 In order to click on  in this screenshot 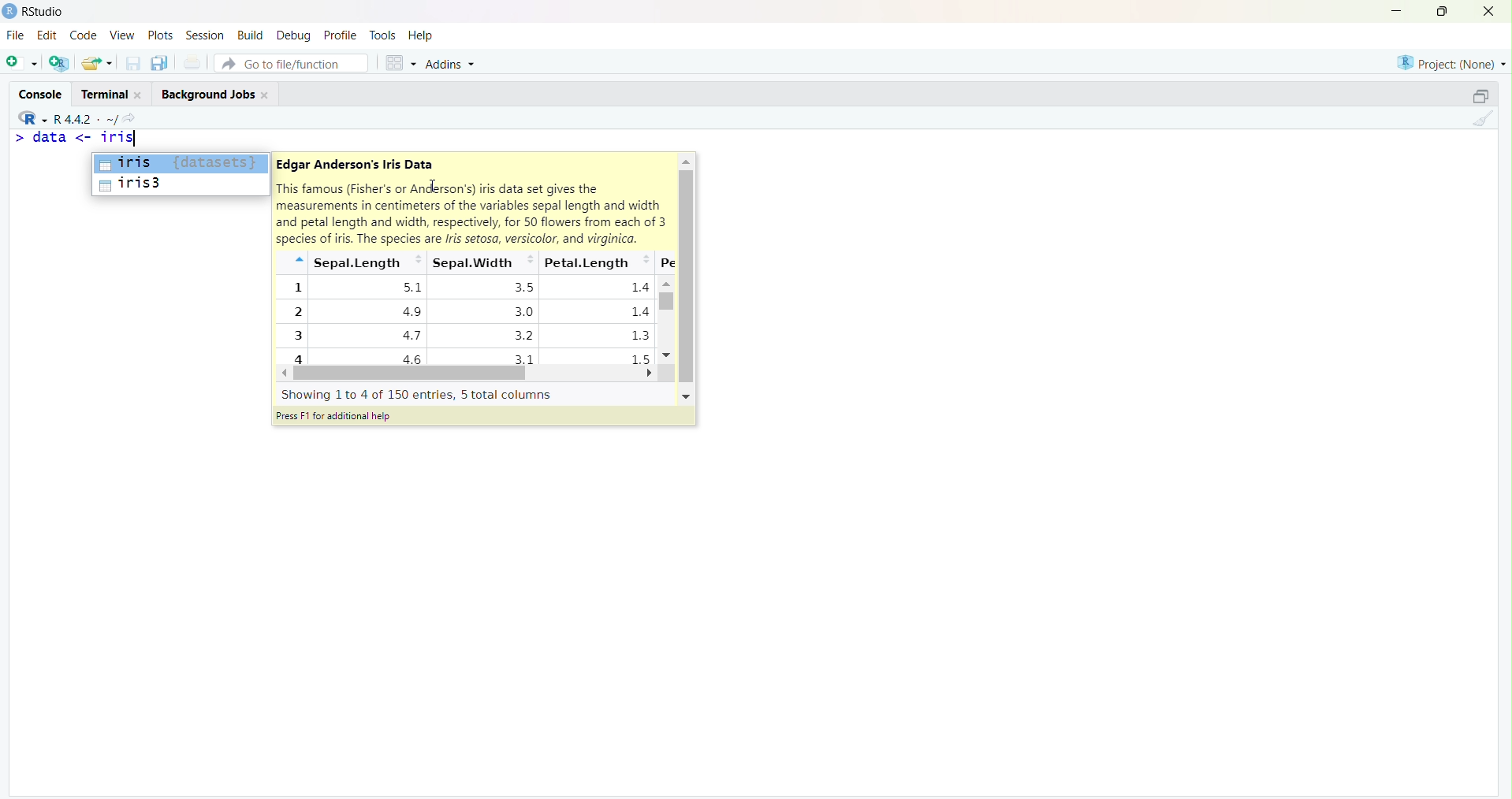, I will do `click(685, 396)`.